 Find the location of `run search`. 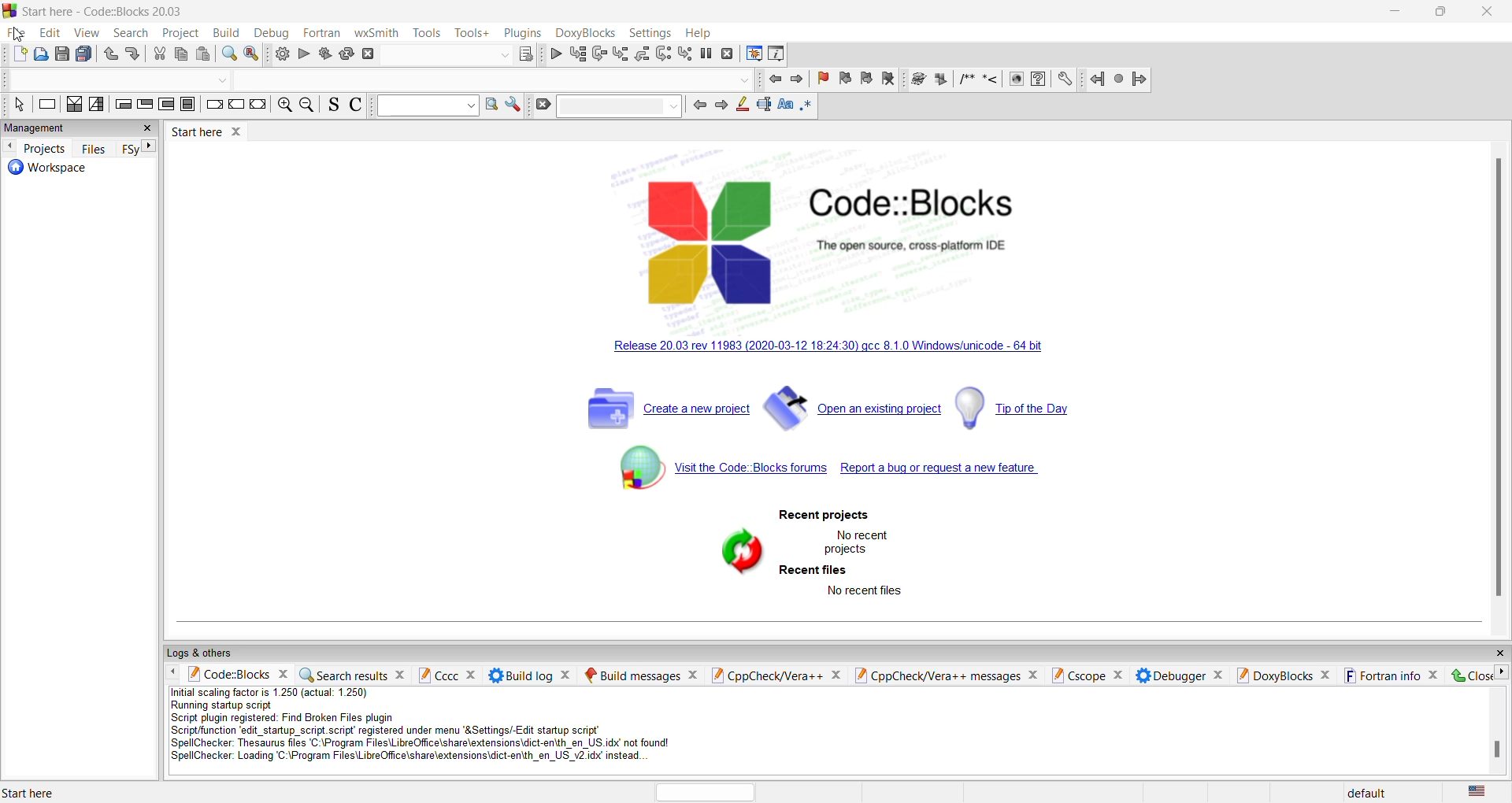

run search is located at coordinates (492, 103).